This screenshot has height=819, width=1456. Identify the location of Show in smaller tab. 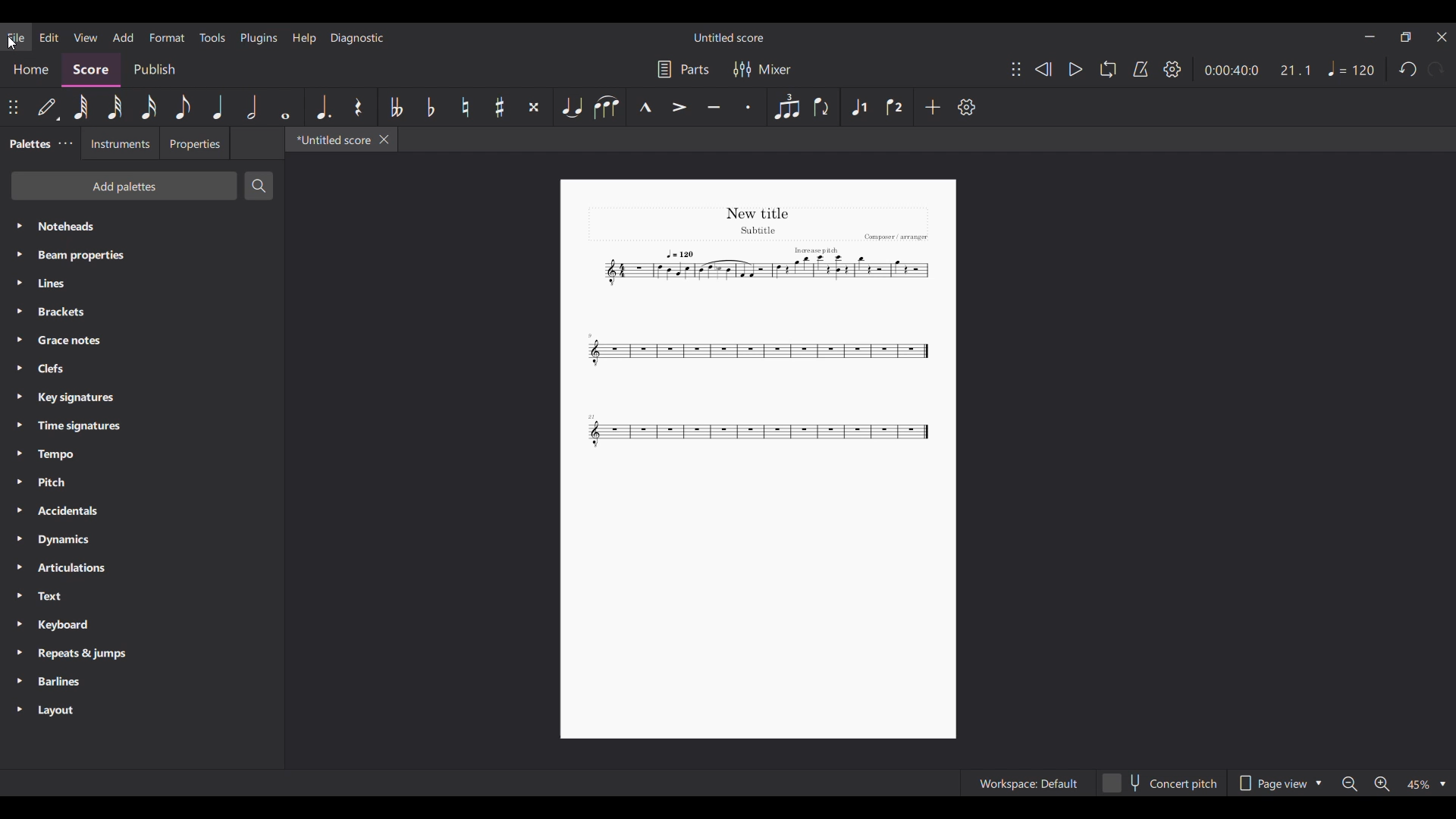
(1406, 36).